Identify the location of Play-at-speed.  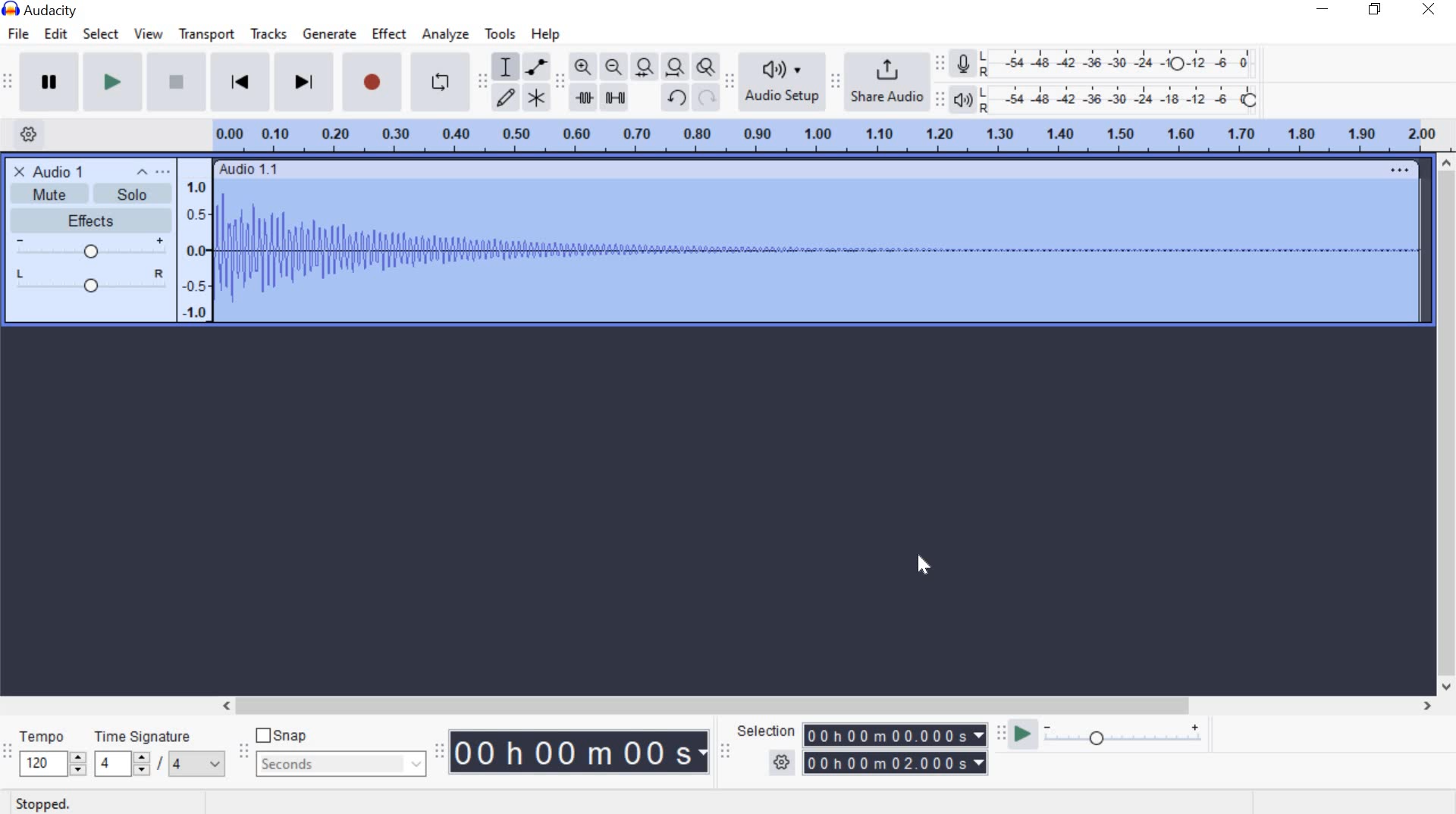
(1022, 735).